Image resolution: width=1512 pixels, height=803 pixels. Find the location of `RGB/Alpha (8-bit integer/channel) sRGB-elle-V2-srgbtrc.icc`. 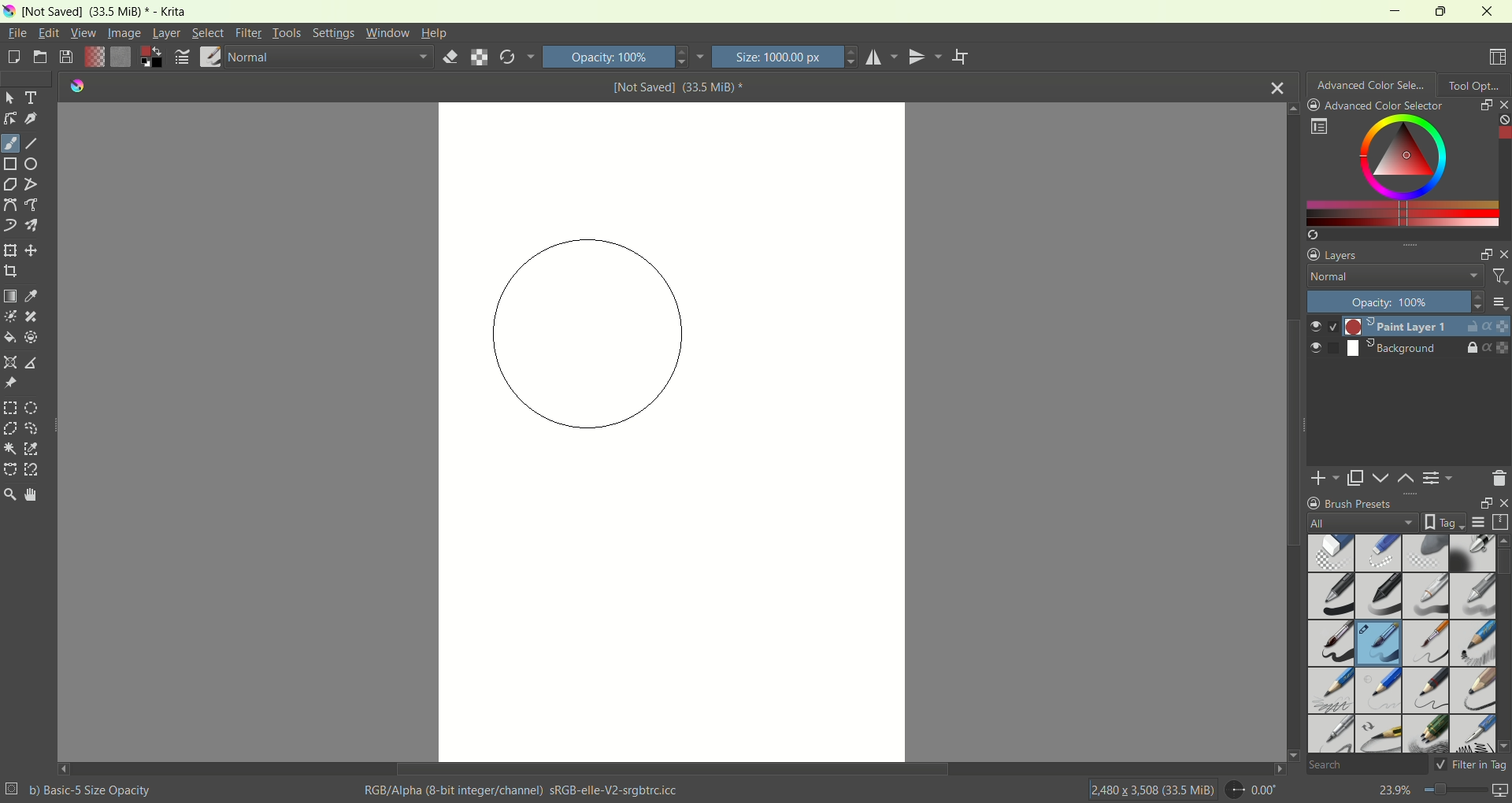

RGB/Alpha (8-bit integer/channel) sRGB-elle-V2-srgbtrc.icc is located at coordinates (524, 790).